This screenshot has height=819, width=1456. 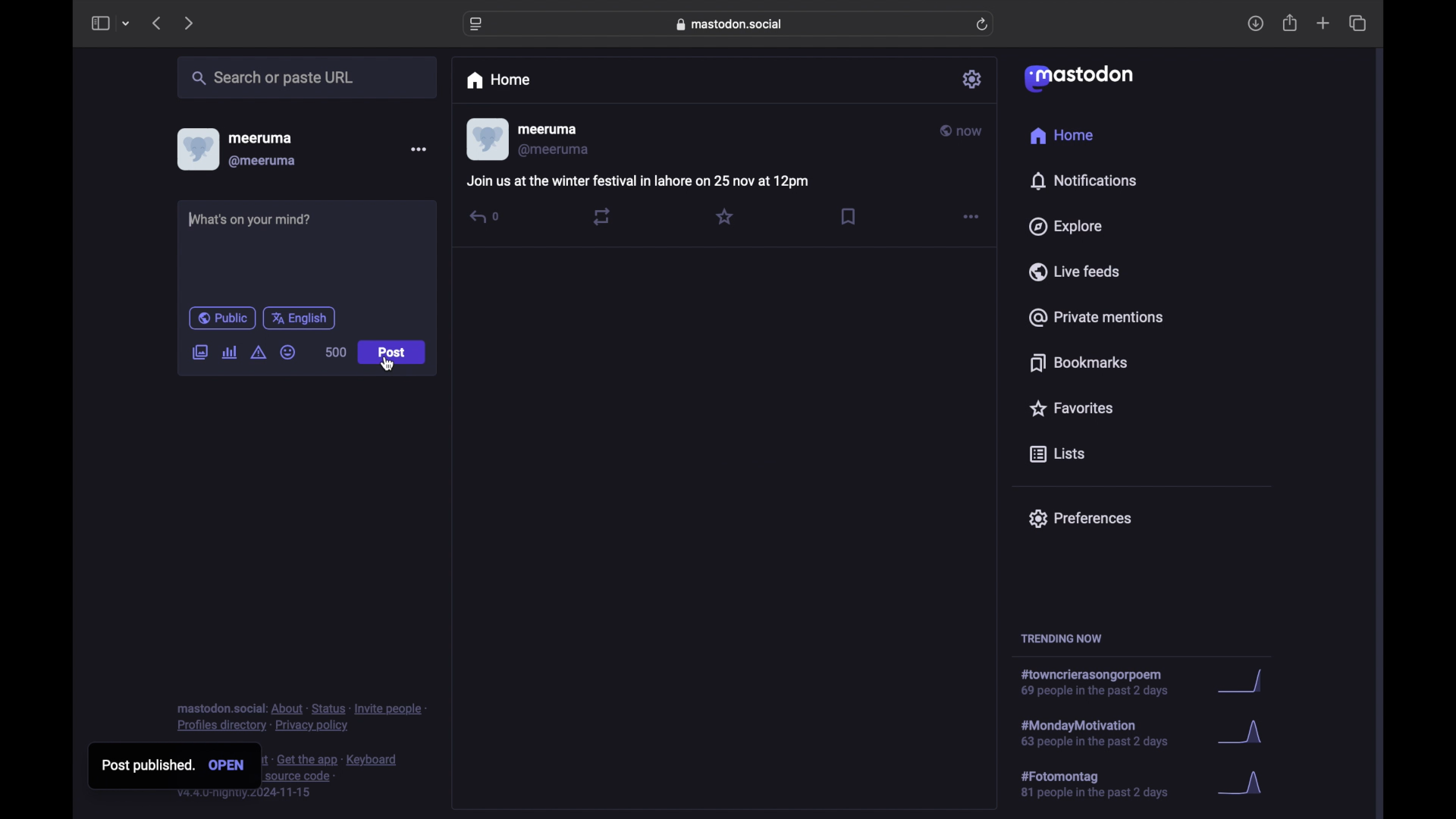 I want to click on more options, so click(x=419, y=149).